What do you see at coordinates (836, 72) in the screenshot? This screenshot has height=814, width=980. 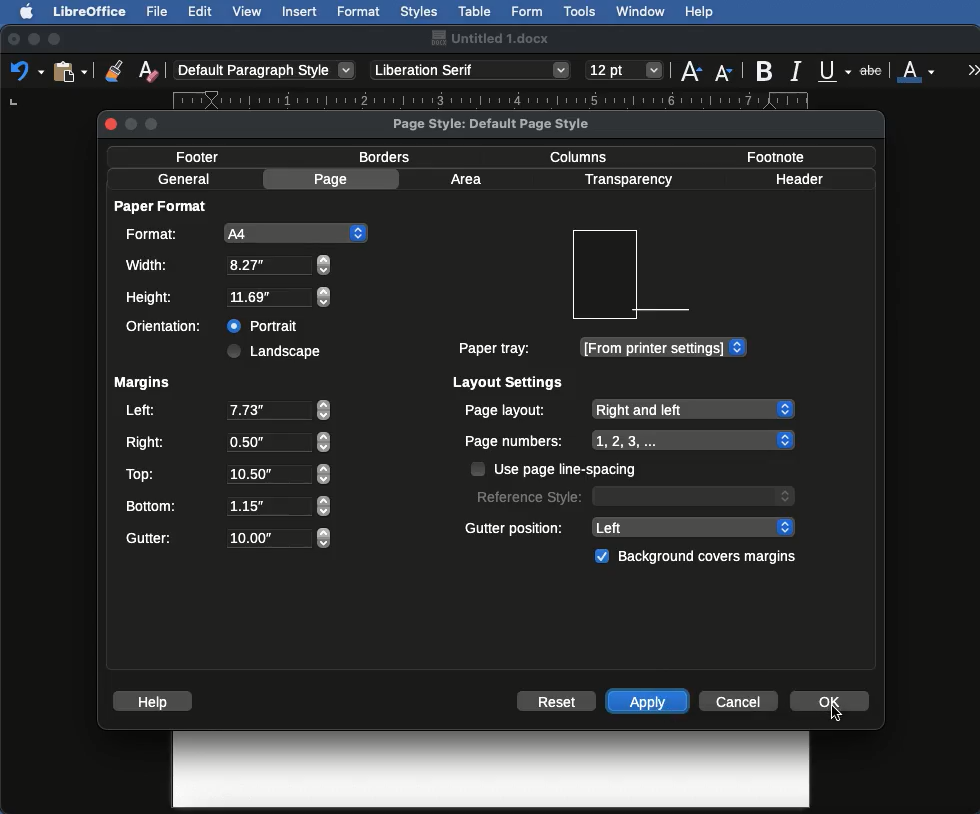 I see `Underline` at bounding box center [836, 72].